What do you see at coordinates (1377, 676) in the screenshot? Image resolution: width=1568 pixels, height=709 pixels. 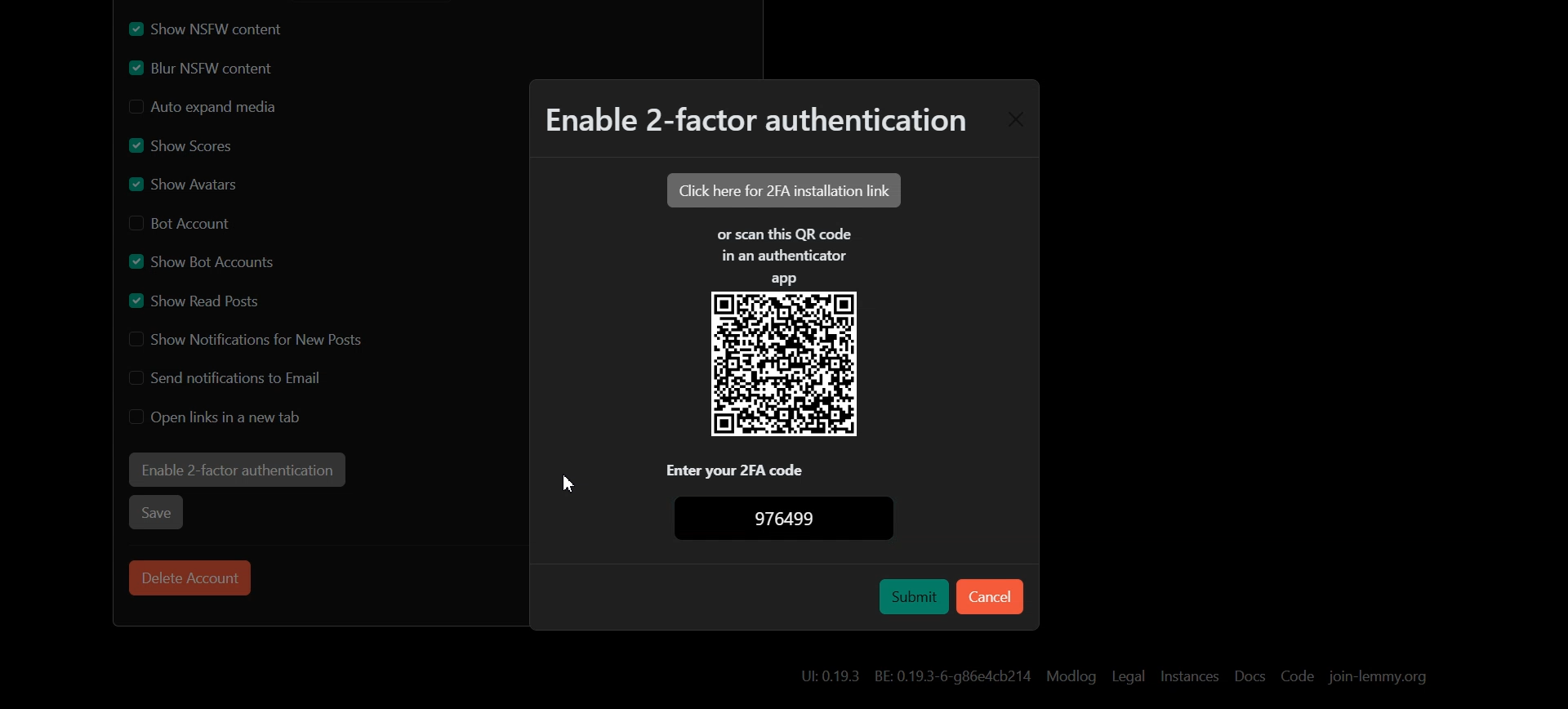 I see `join-lemmy.org` at bounding box center [1377, 676].